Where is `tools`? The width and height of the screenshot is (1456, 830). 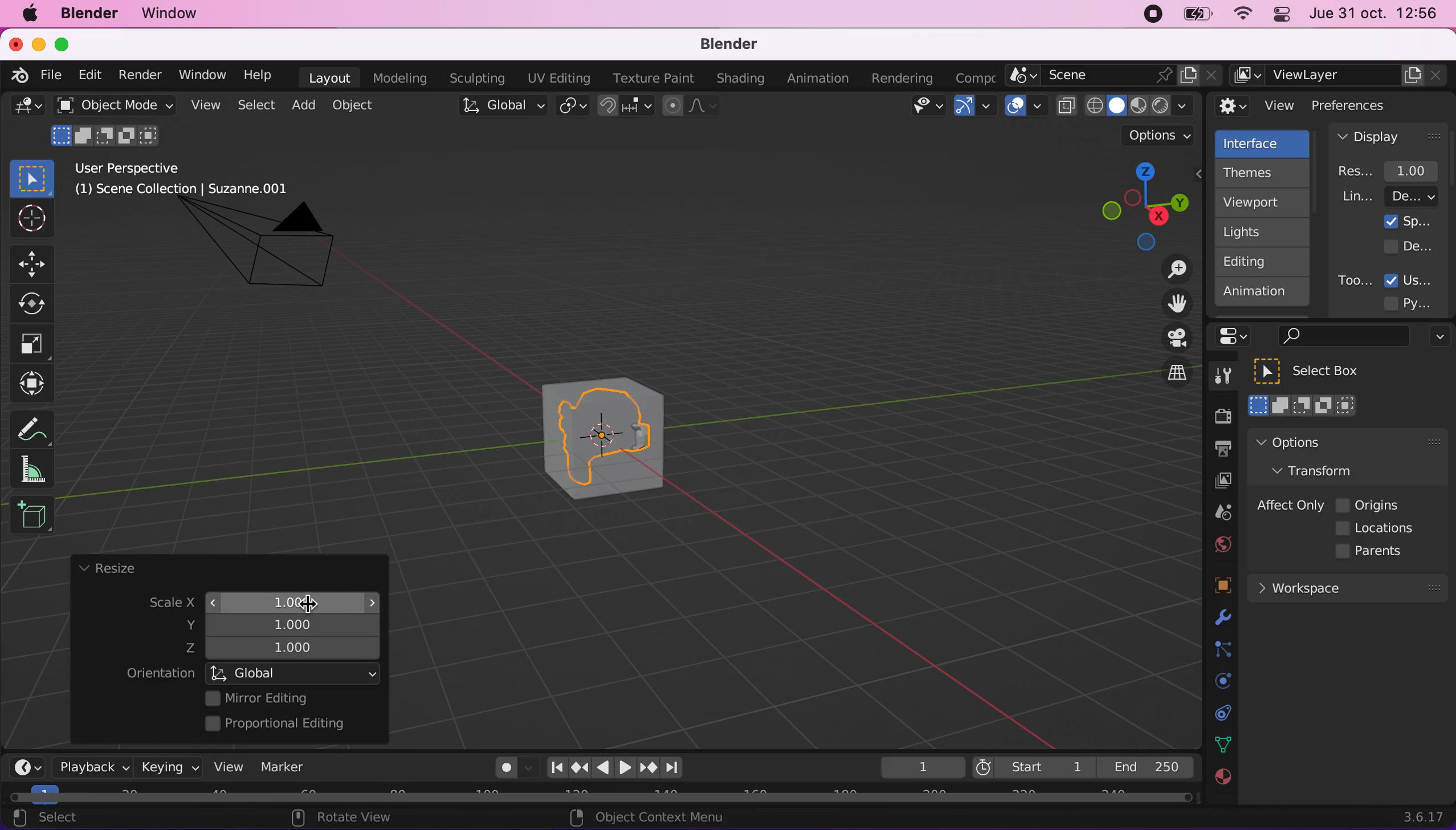
tools is located at coordinates (1217, 379).